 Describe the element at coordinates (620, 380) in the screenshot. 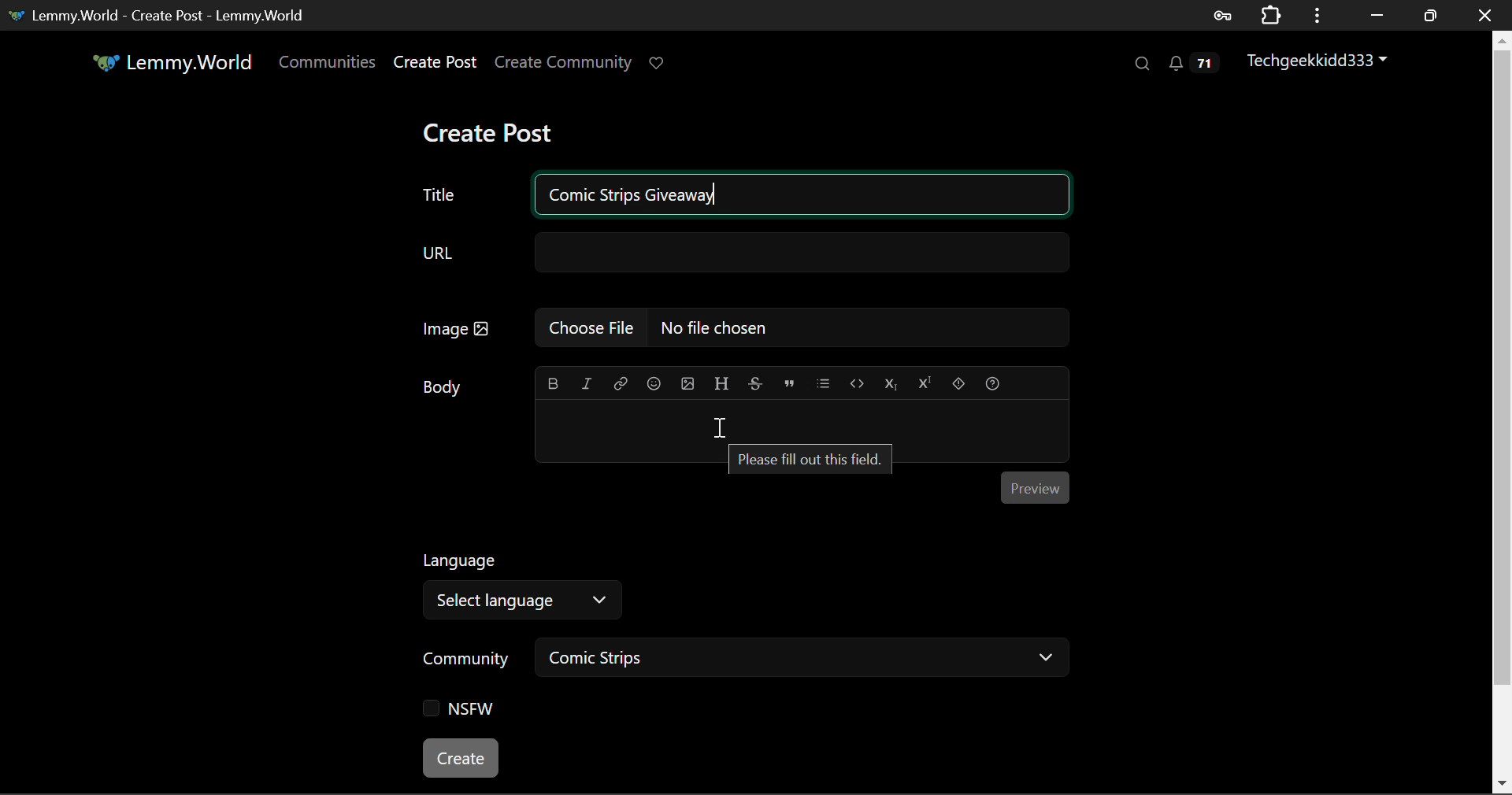

I see `link` at that location.